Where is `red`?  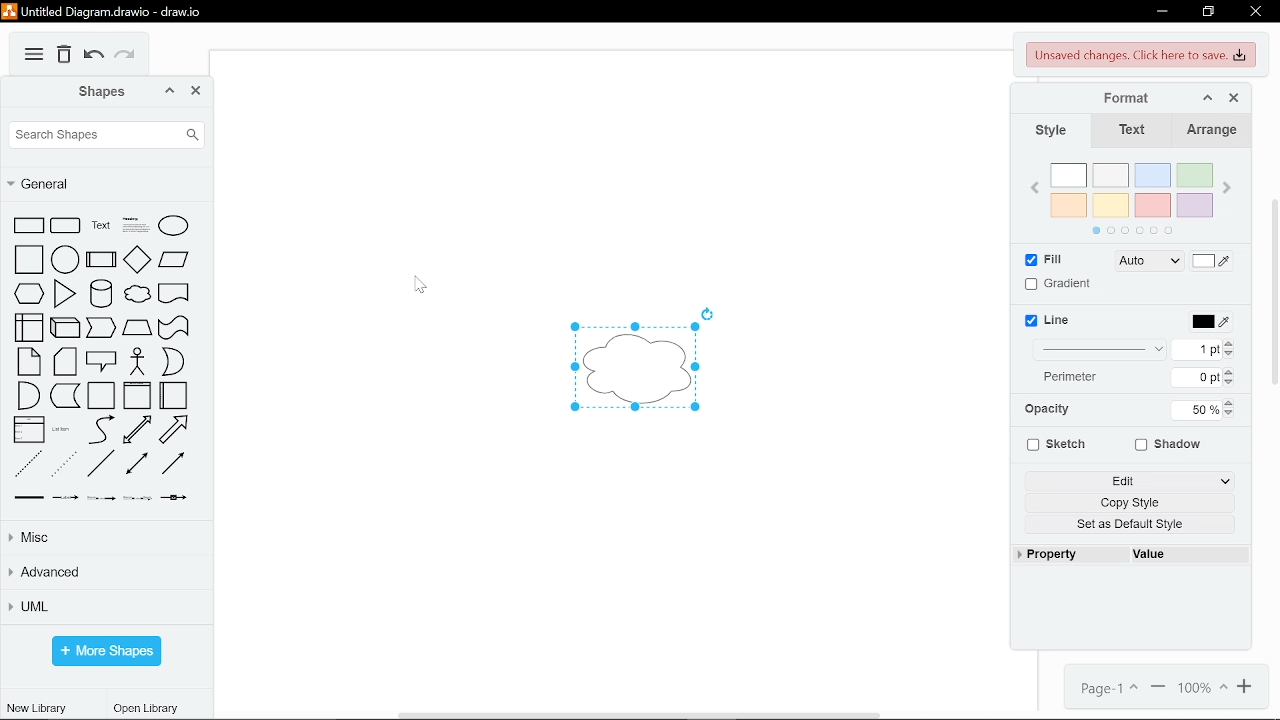
red is located at coordinates (1152, 205).